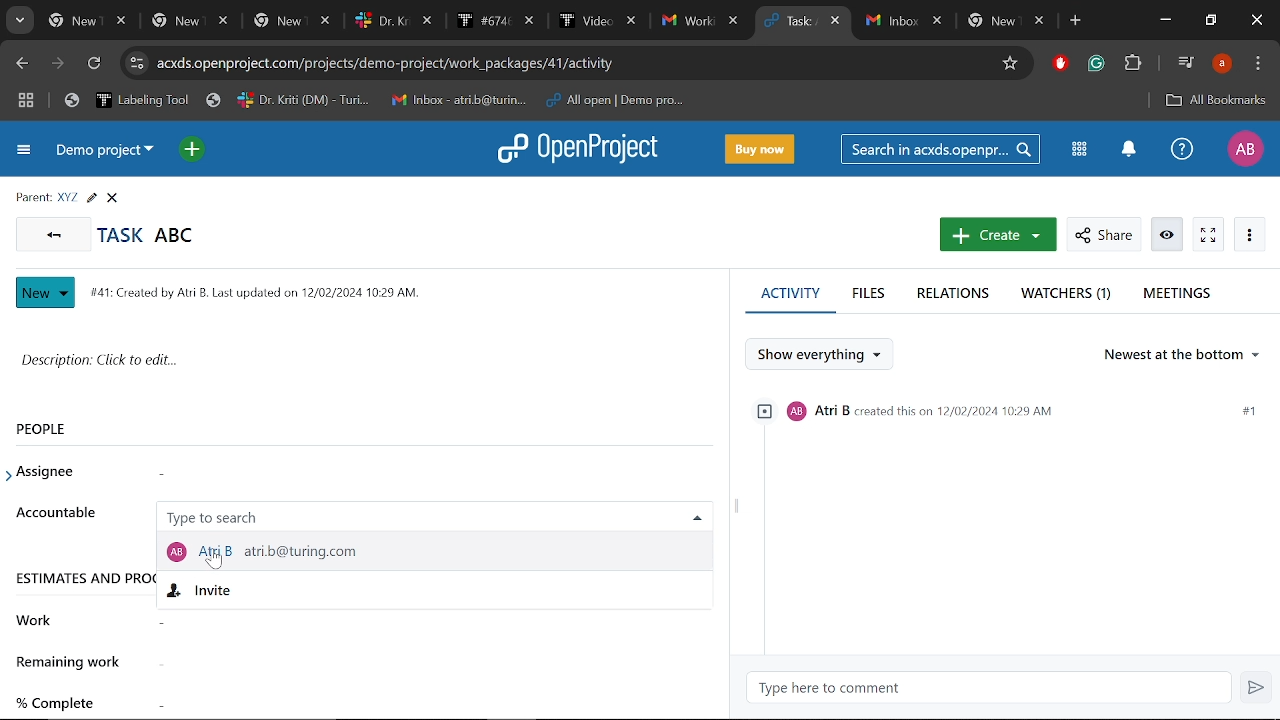 The height and width of the screenshot is (720, 1280). Describe the element at coordinates (721, 415) in the screenshot. I see `scroll bar` at that location.